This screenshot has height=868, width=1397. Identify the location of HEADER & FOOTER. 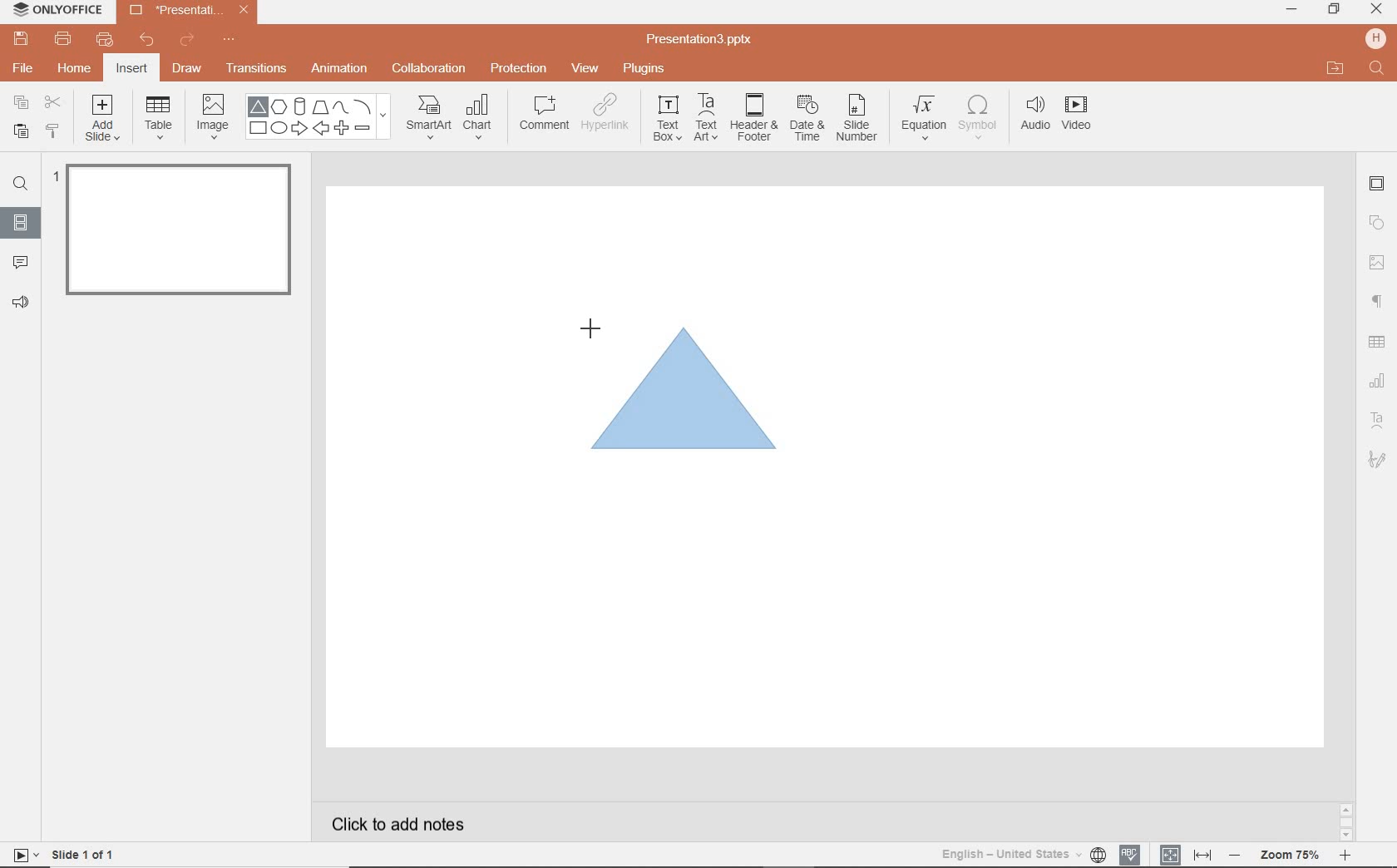
(753, 117).